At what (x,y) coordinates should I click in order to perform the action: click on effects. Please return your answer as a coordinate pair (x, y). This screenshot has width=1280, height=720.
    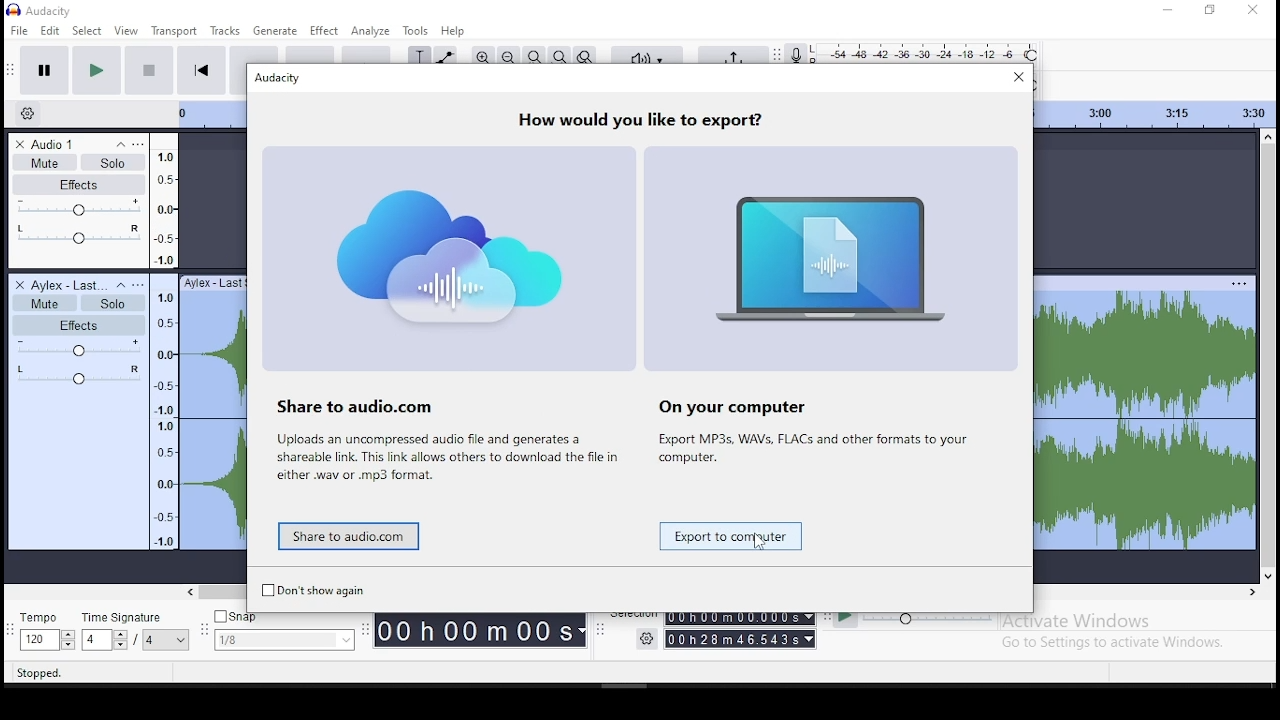
    Looking at the image, I should click on (81, 184).